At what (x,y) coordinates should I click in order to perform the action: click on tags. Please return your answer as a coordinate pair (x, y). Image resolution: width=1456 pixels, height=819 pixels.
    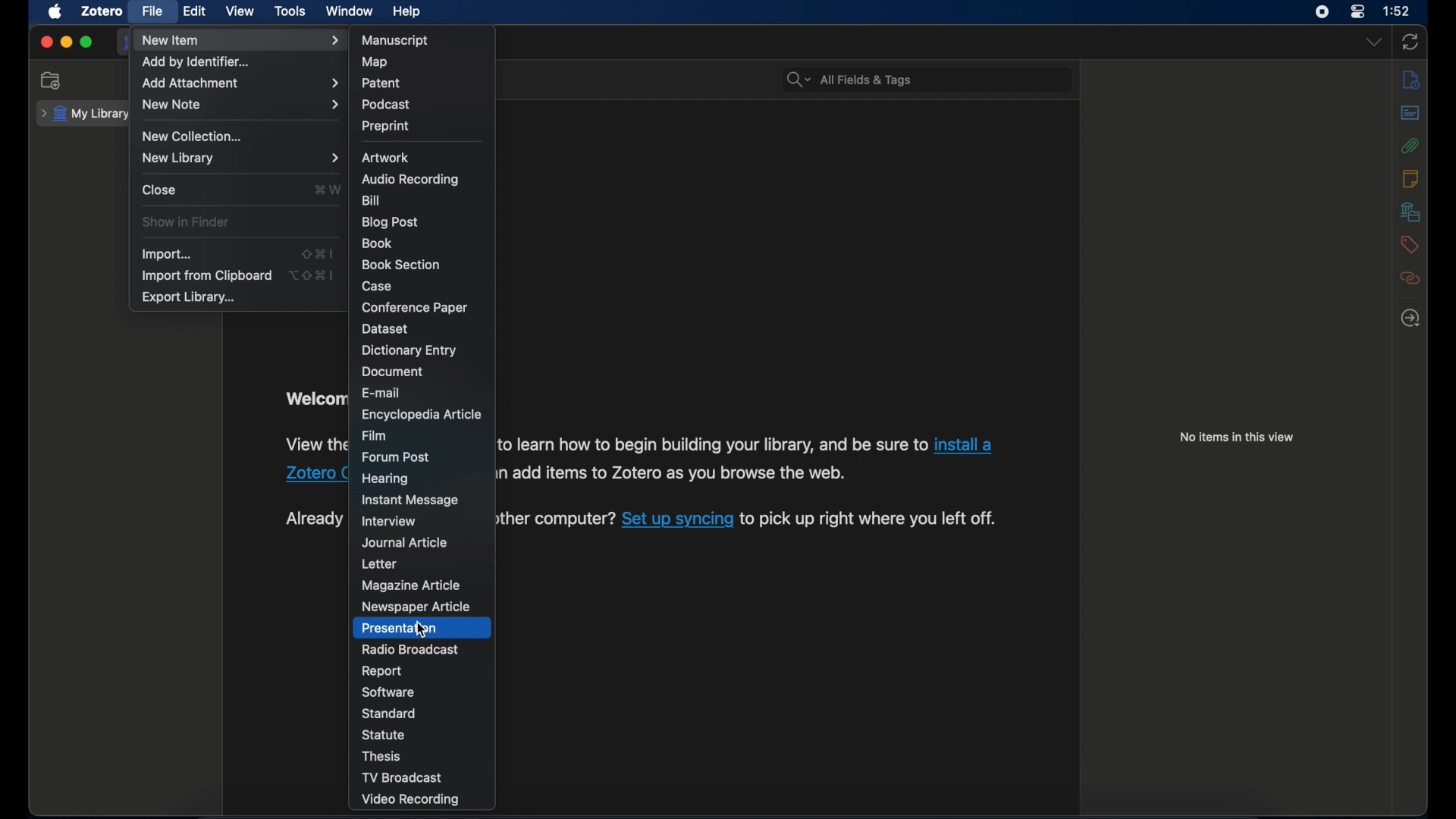
    Looking at the image, I should click on (1410, 245).